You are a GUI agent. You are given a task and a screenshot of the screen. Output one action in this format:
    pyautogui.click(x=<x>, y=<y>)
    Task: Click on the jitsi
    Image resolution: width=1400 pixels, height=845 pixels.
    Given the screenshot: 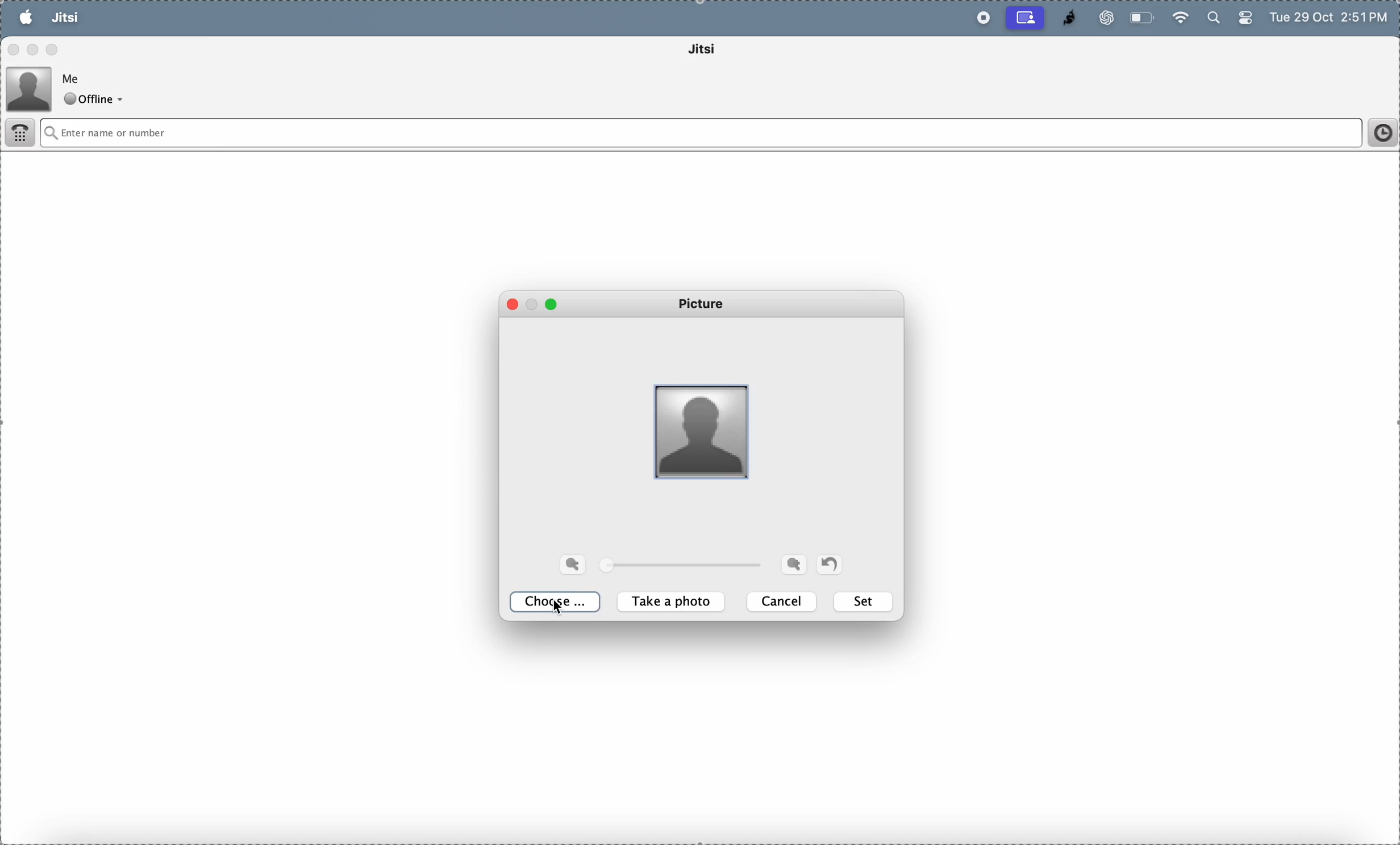 What is the action you would take?
    pyautogui.click(x=1064, y=18)
    